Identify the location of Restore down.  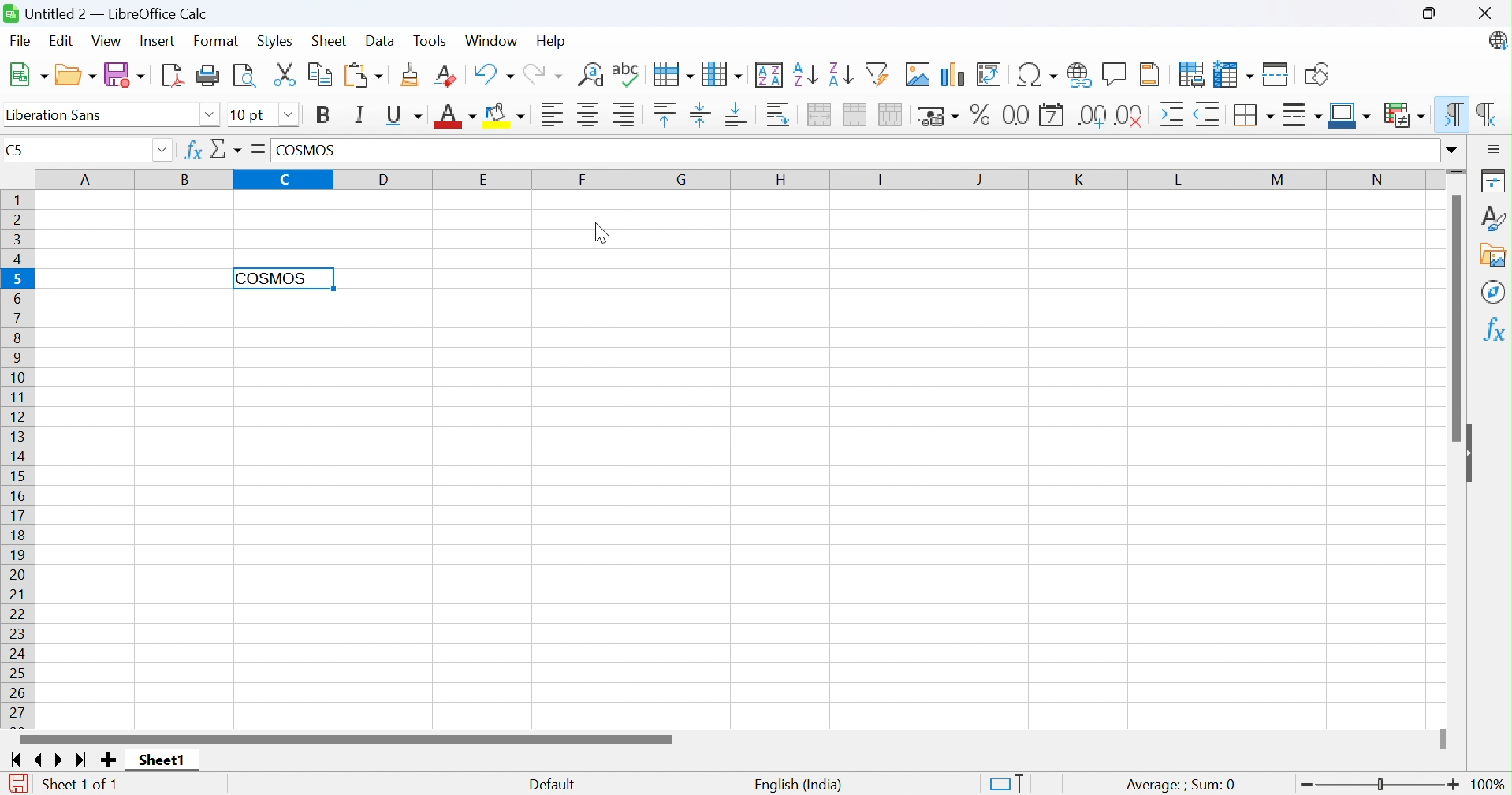
(1429, 15).